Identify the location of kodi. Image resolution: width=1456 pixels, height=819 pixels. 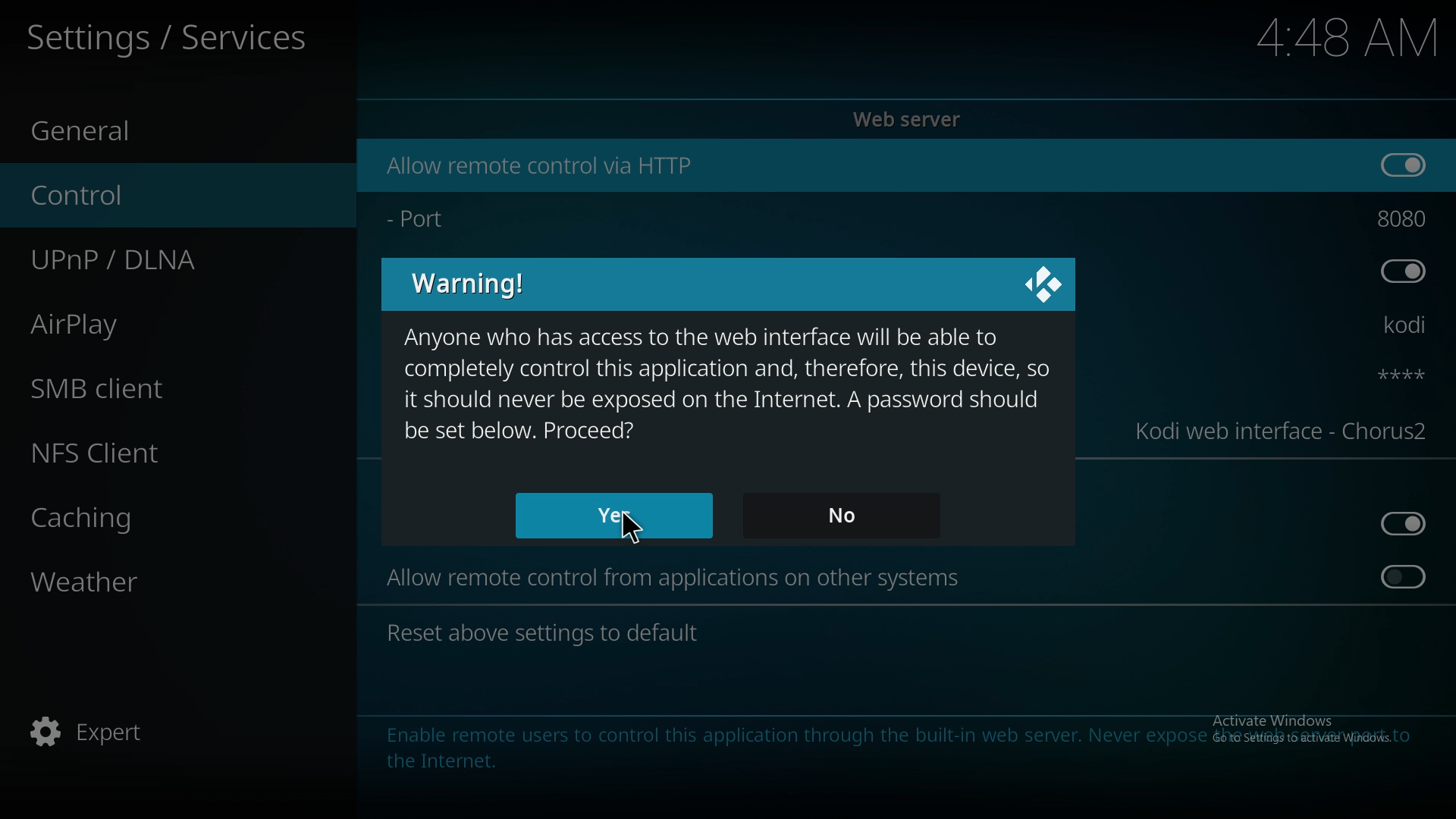
(1410, 325).